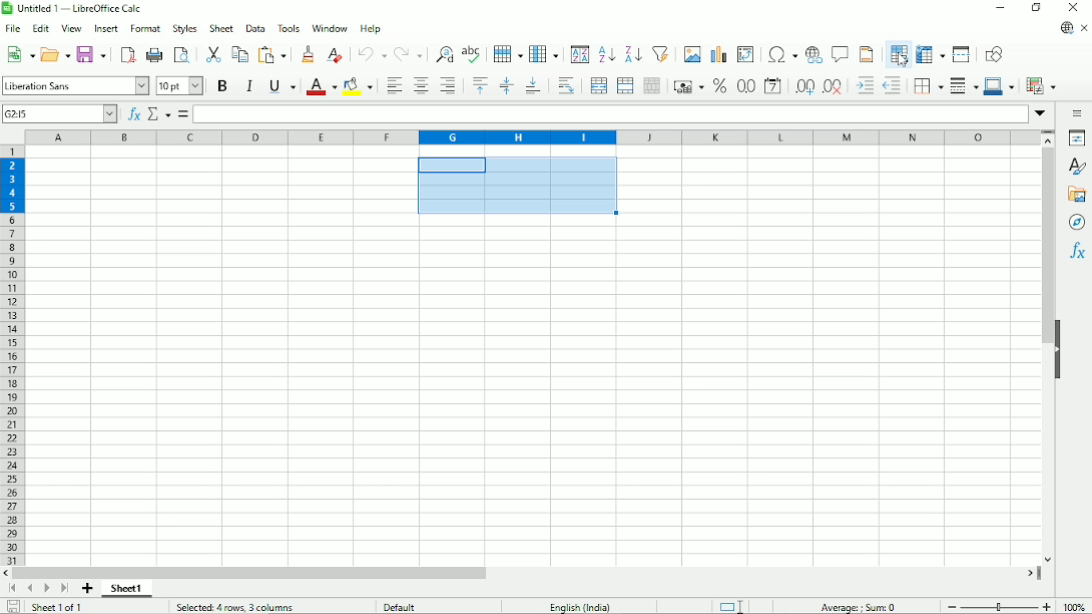 The width and height of the screenshot is (1092, 614). Describe the element at coordinates (579, 54) in the screenshot. I see `Sort` at that location.